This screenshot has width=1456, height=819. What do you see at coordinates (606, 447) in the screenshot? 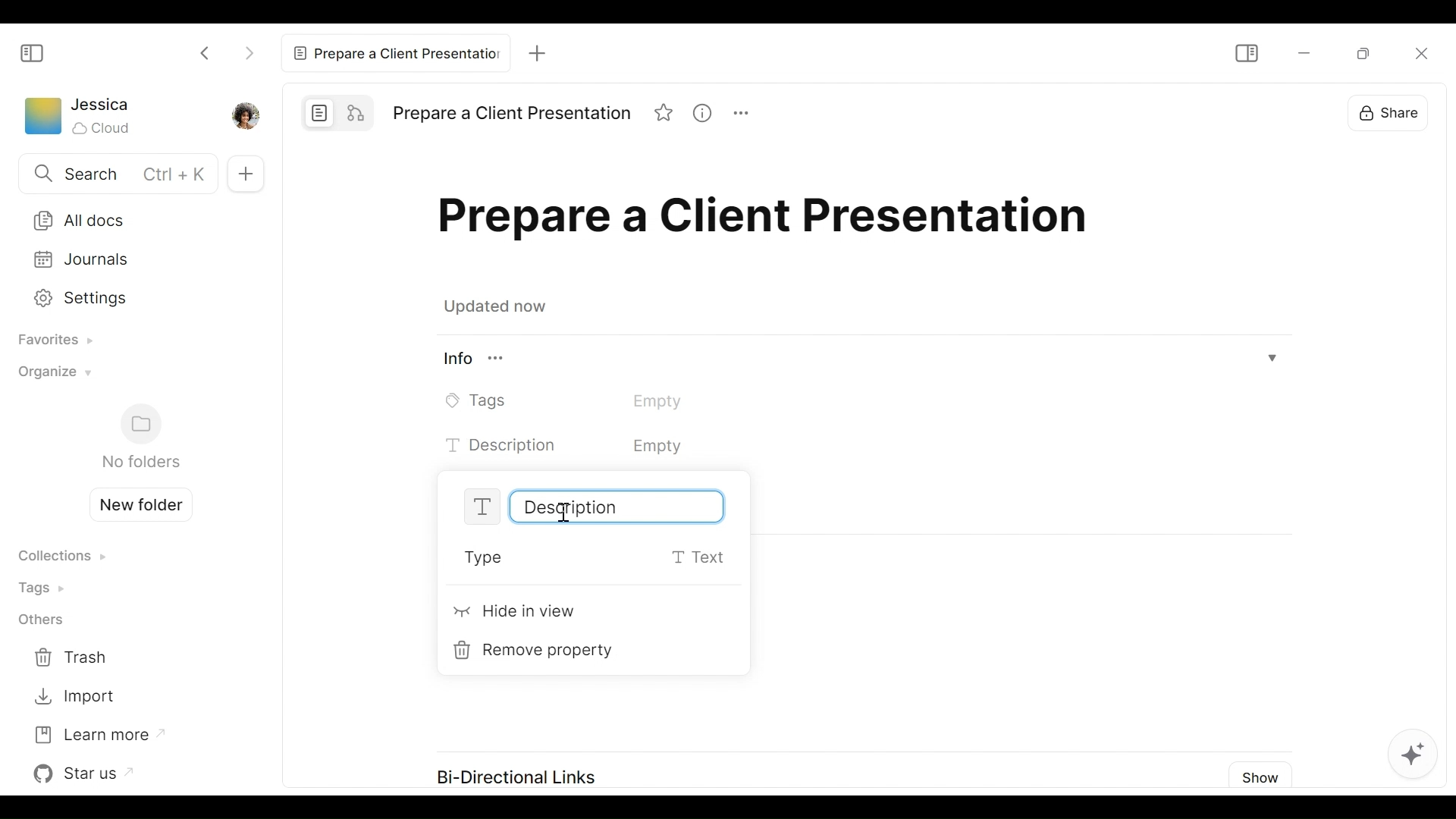
I see `Text` at bounding box center [606, 447].